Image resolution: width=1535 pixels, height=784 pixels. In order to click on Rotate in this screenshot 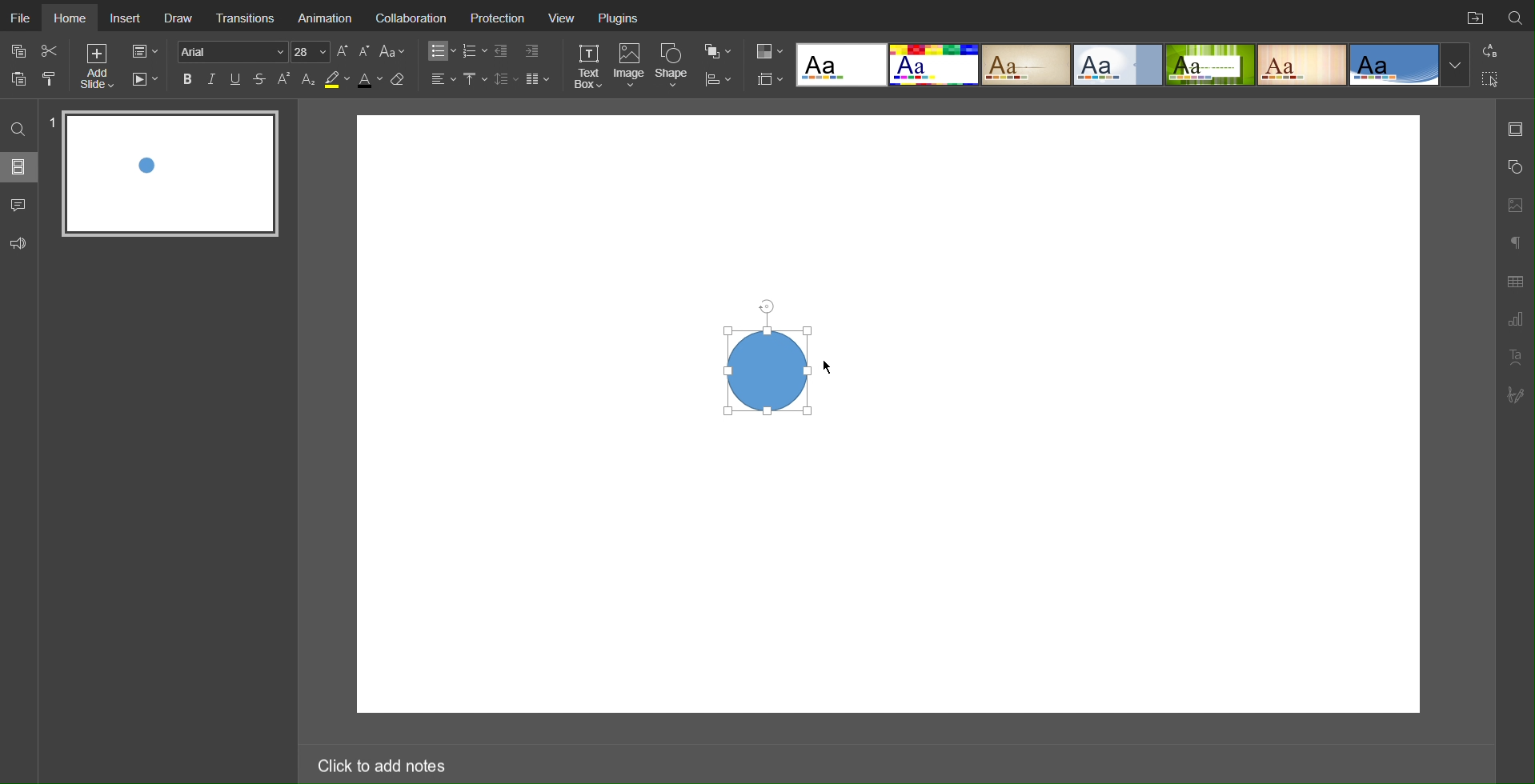, I will do `click(765, 303)`.